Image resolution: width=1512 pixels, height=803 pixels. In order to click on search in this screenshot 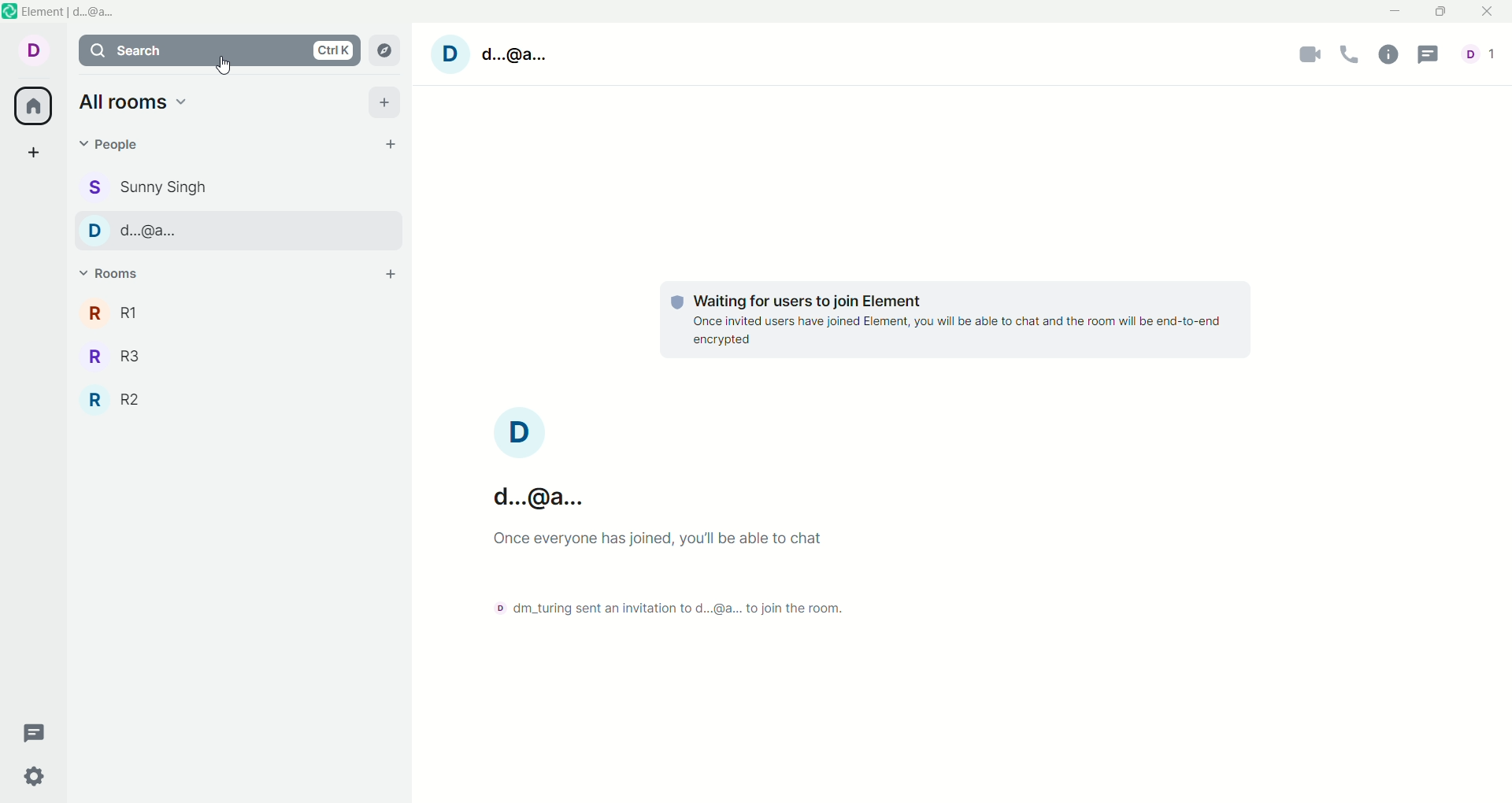, I will do `click(216, 50)`.